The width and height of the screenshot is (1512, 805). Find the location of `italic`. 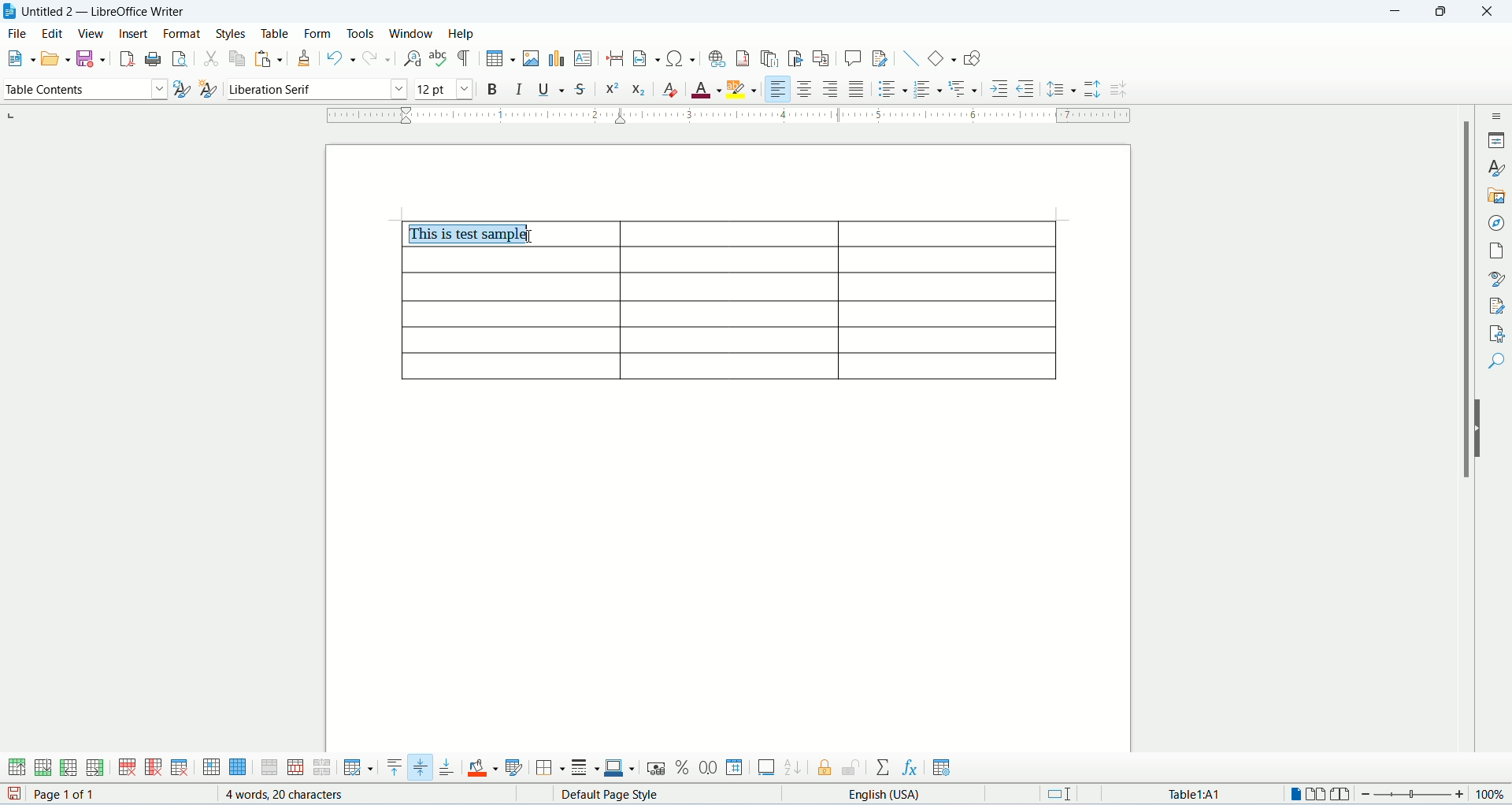

italic is located at coordinates (520, 89).